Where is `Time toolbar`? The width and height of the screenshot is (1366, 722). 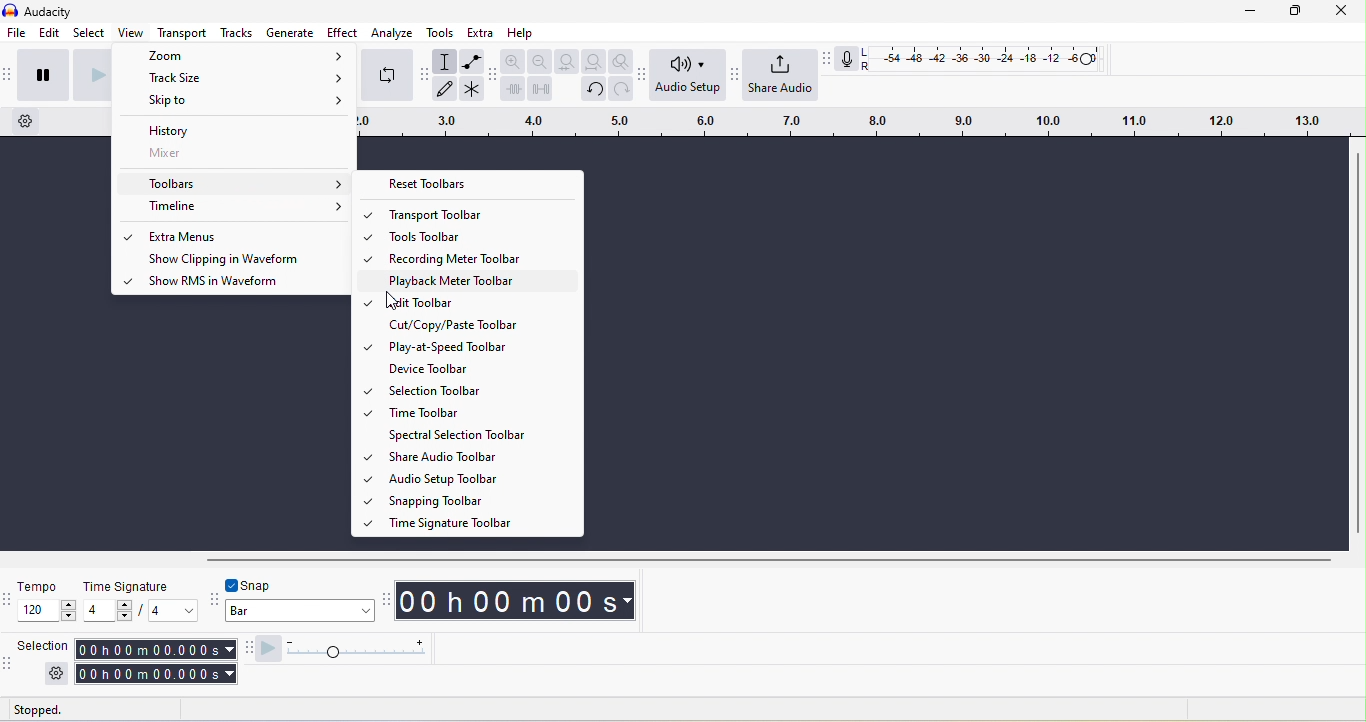 Time toolbar is located at coordinates (478, 412).